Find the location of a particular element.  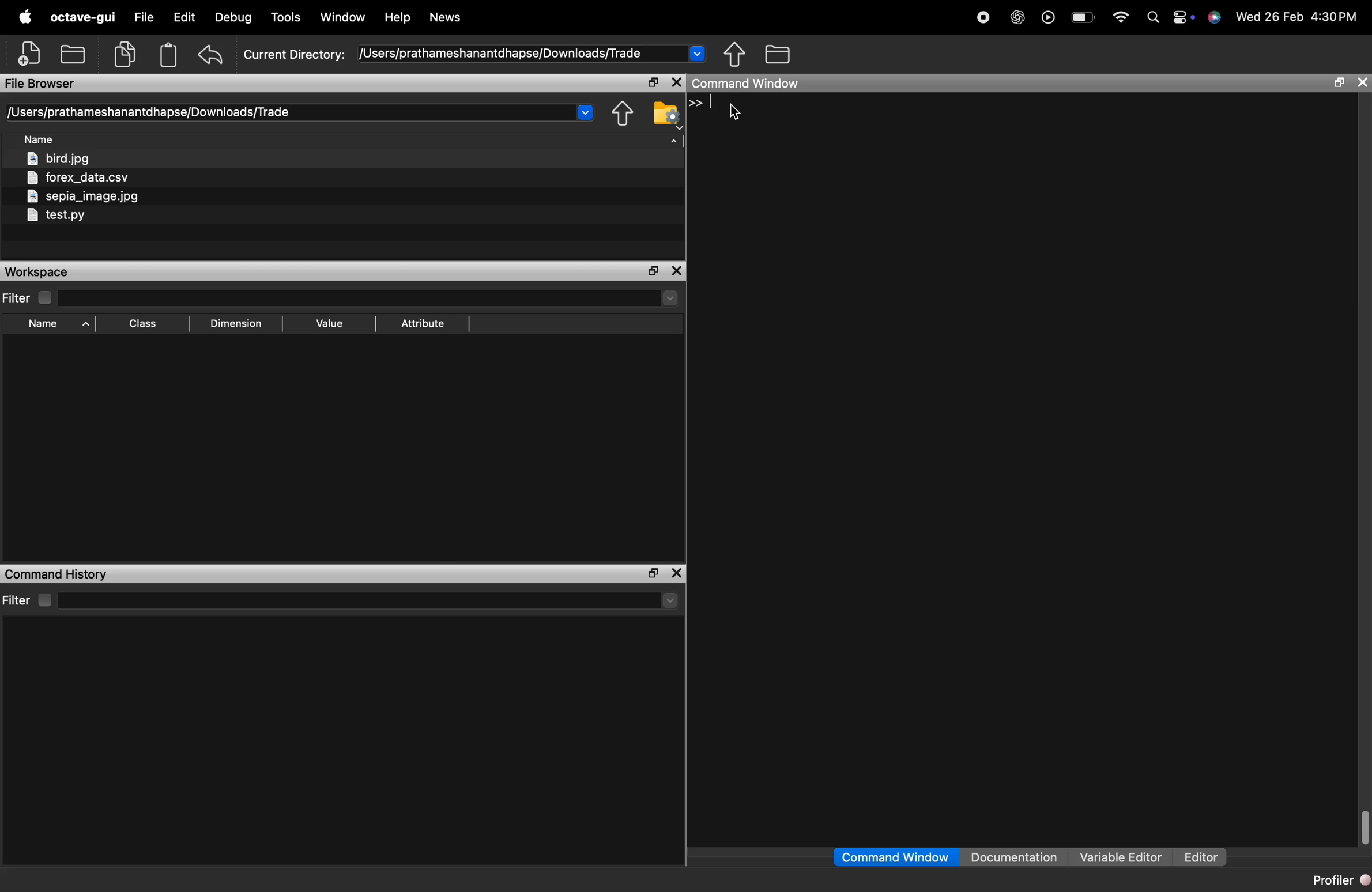

folder settings is located at coordinates (666, 114).